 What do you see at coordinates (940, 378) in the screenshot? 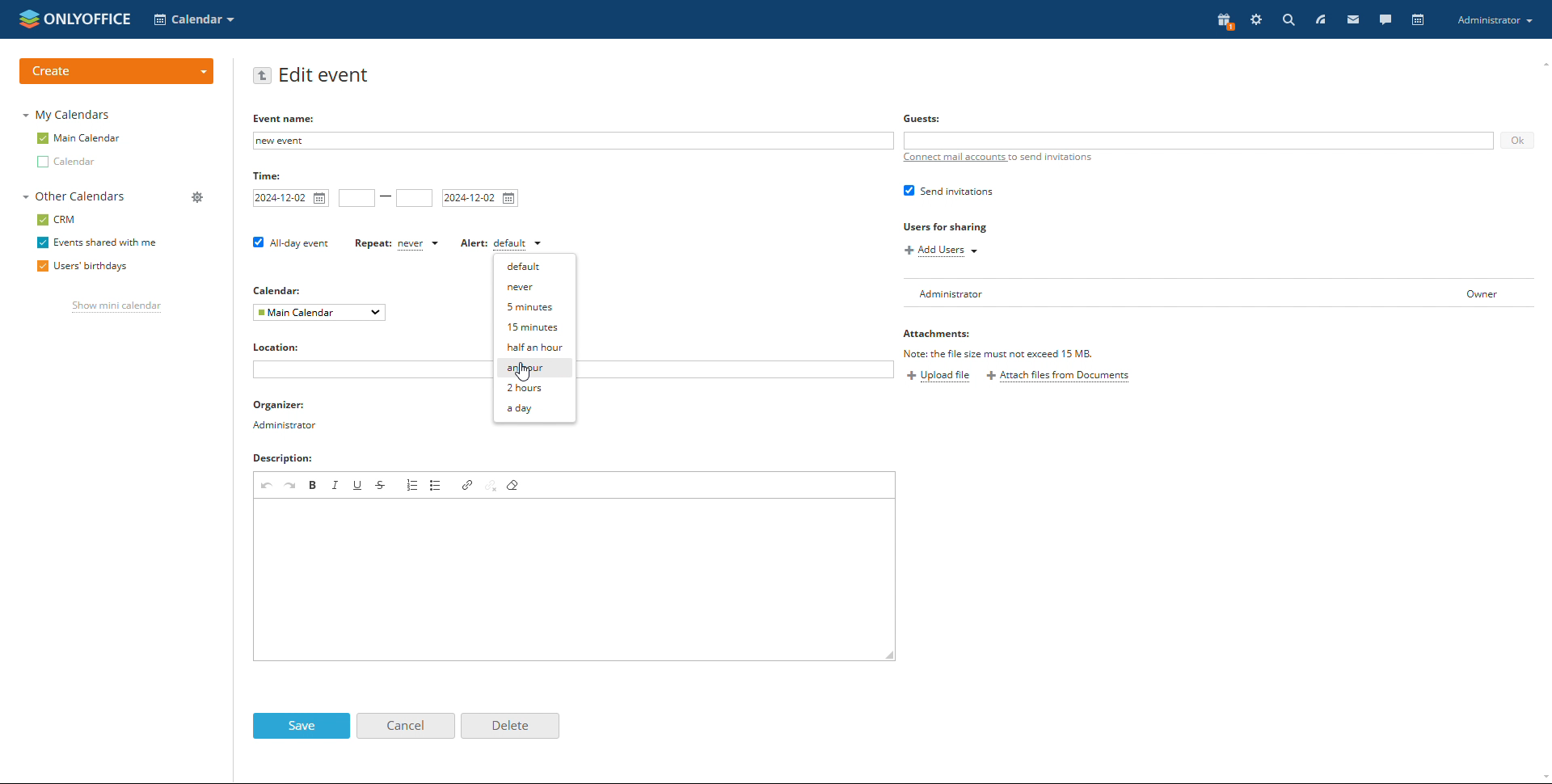
I see `upload file` at bounding box center [940, 378].